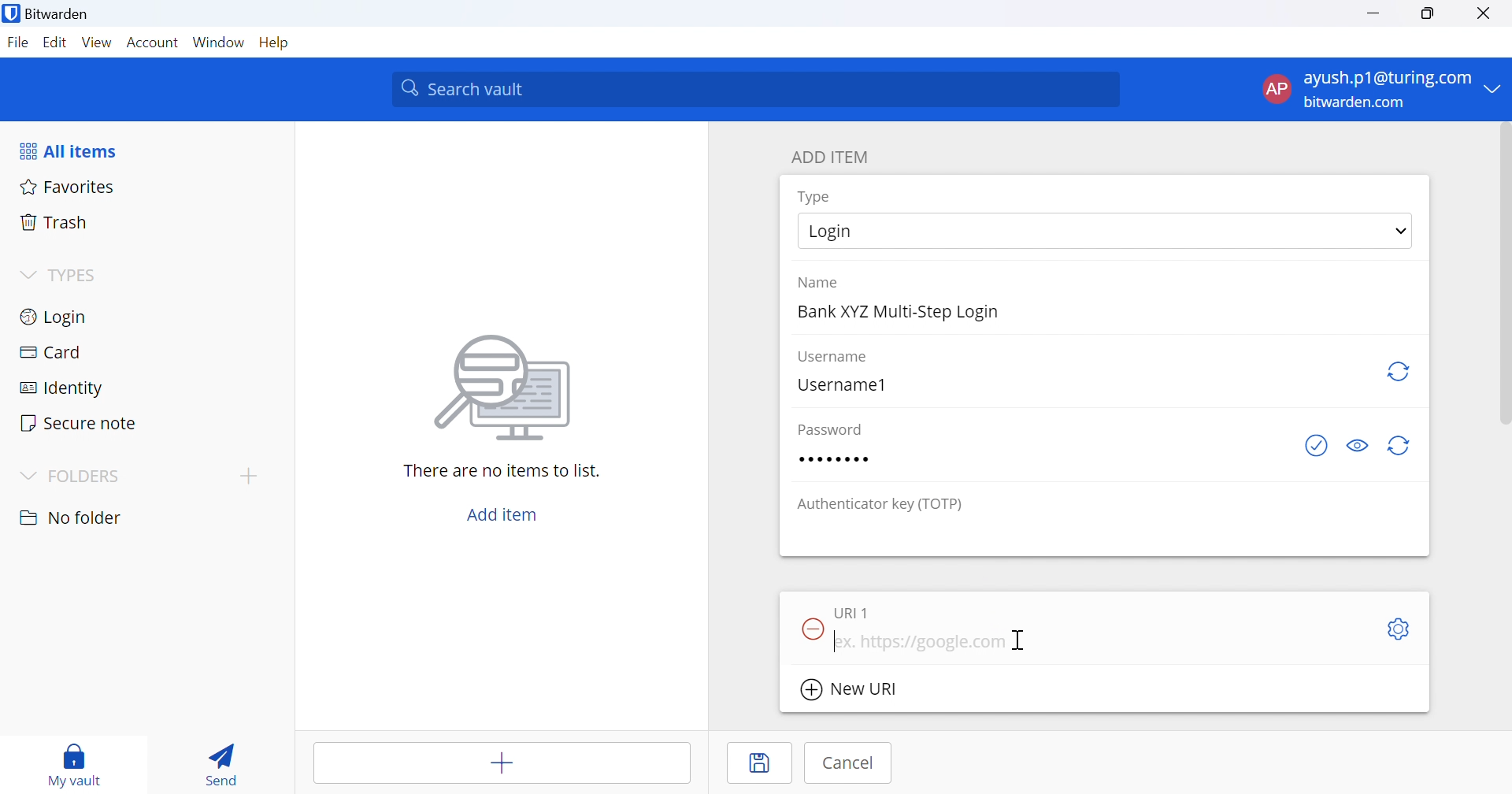 This screenshot has height=794, width=1512. I want to click on Card, so click(51, 351).